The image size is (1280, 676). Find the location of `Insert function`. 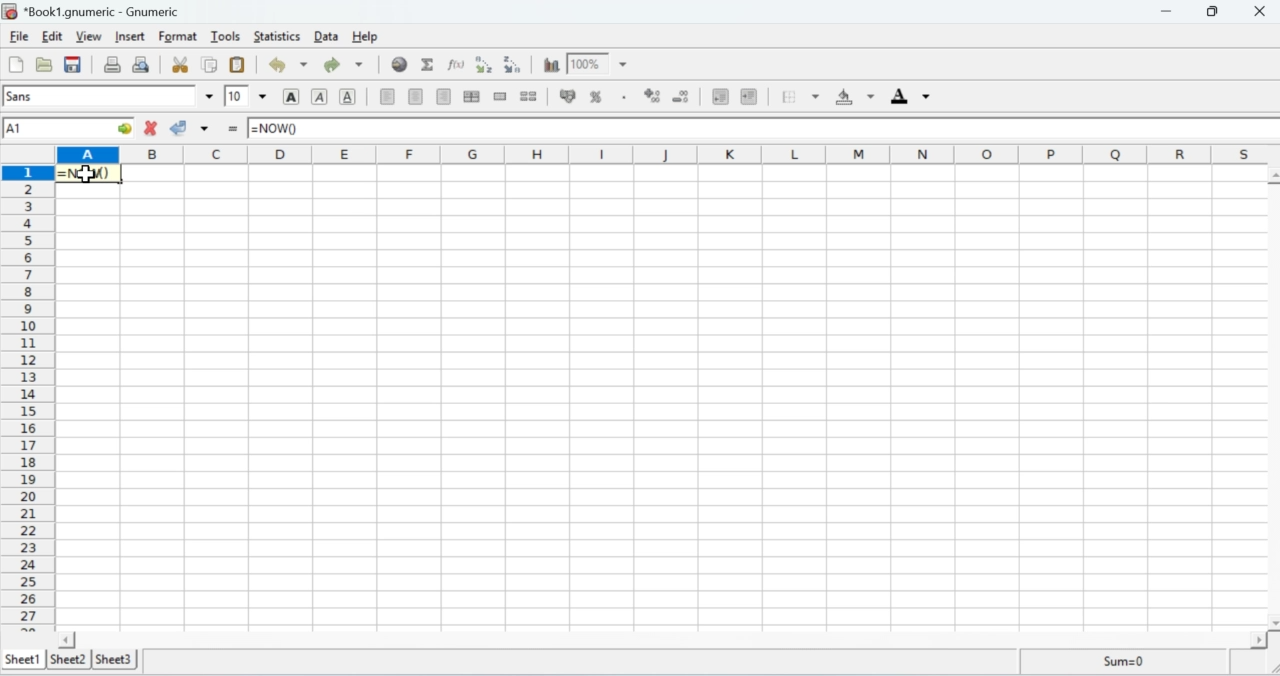

Insert function is located at coordinates (231, 130).